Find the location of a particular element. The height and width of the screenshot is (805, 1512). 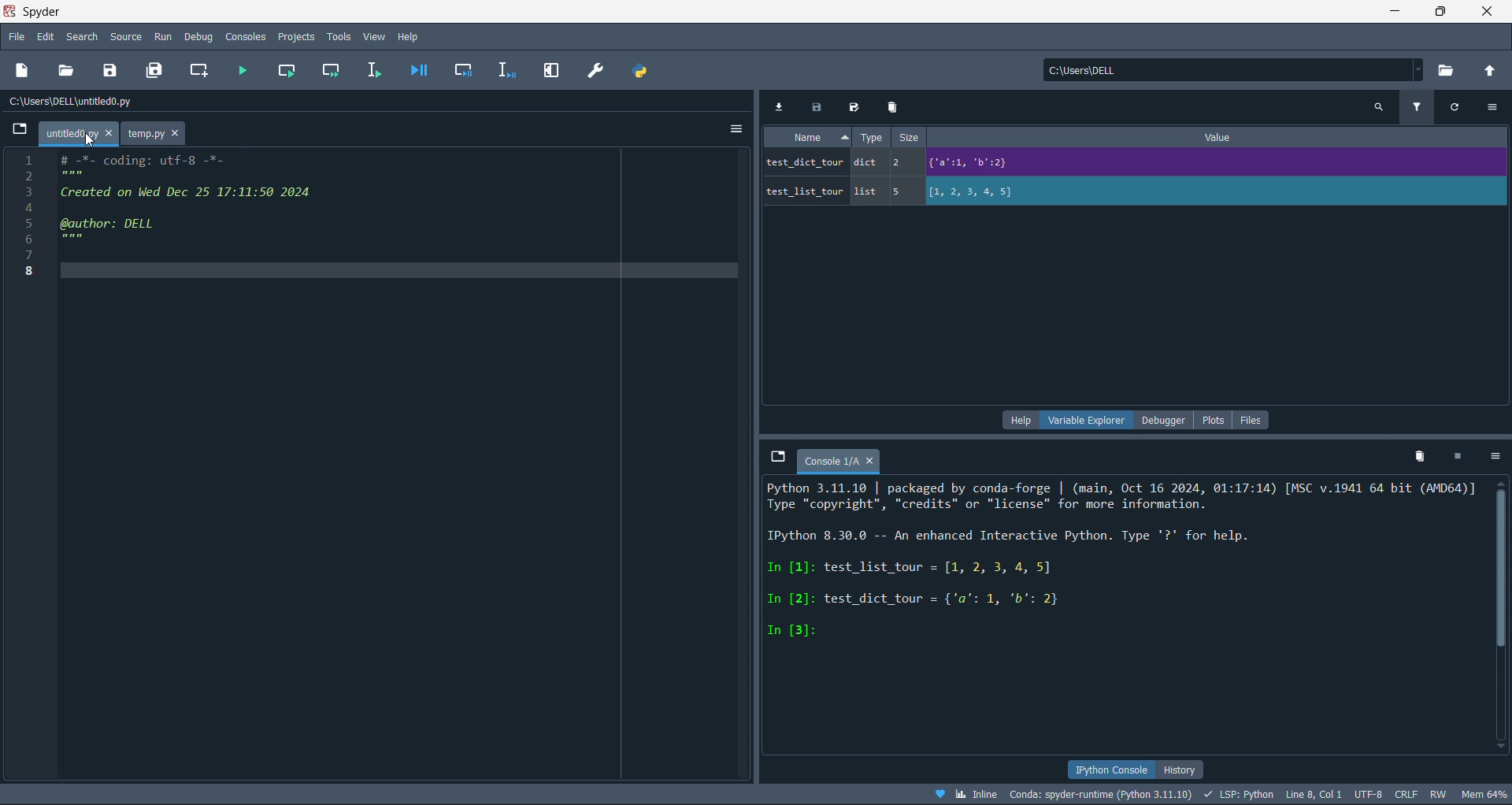

value is located at coordinates (1228, 137).